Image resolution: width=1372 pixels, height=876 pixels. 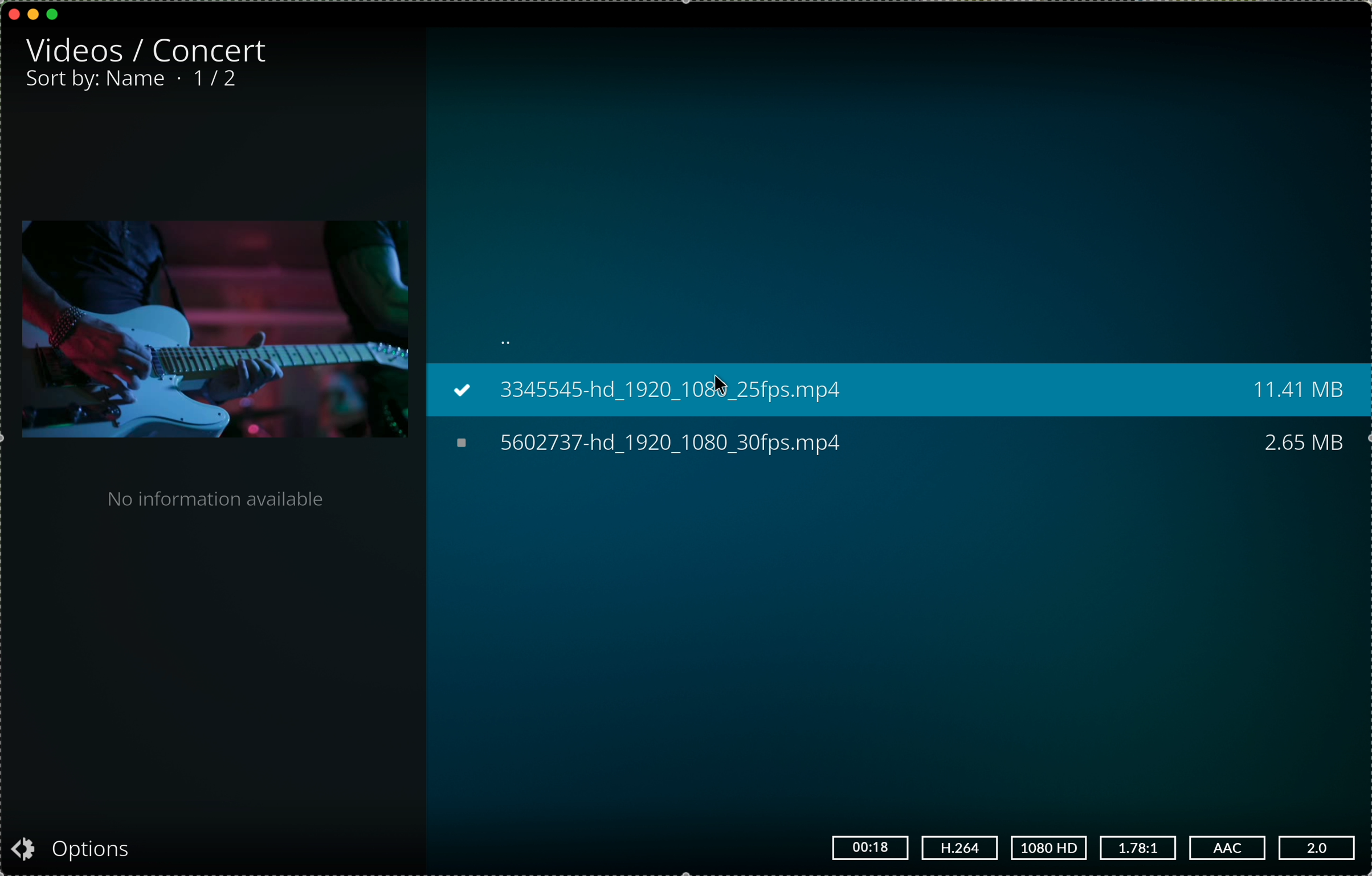 I want to click on 1/2, so click(x=216, y=80).